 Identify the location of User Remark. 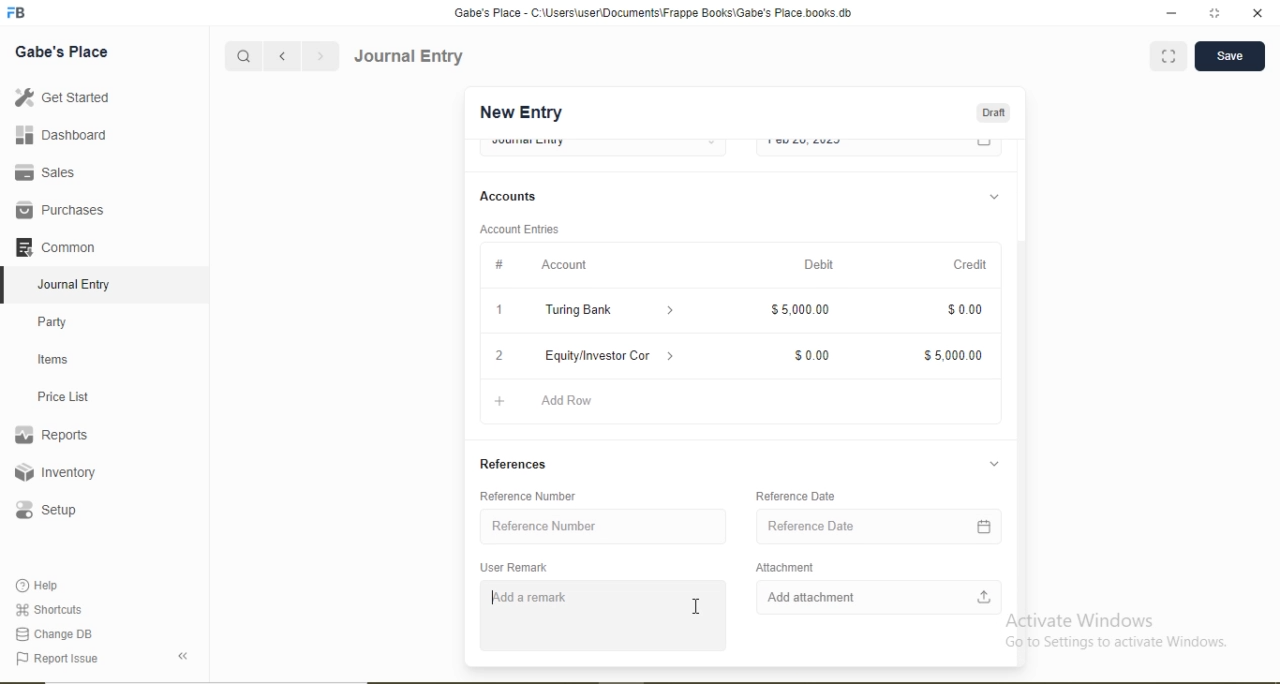
(513, 567).